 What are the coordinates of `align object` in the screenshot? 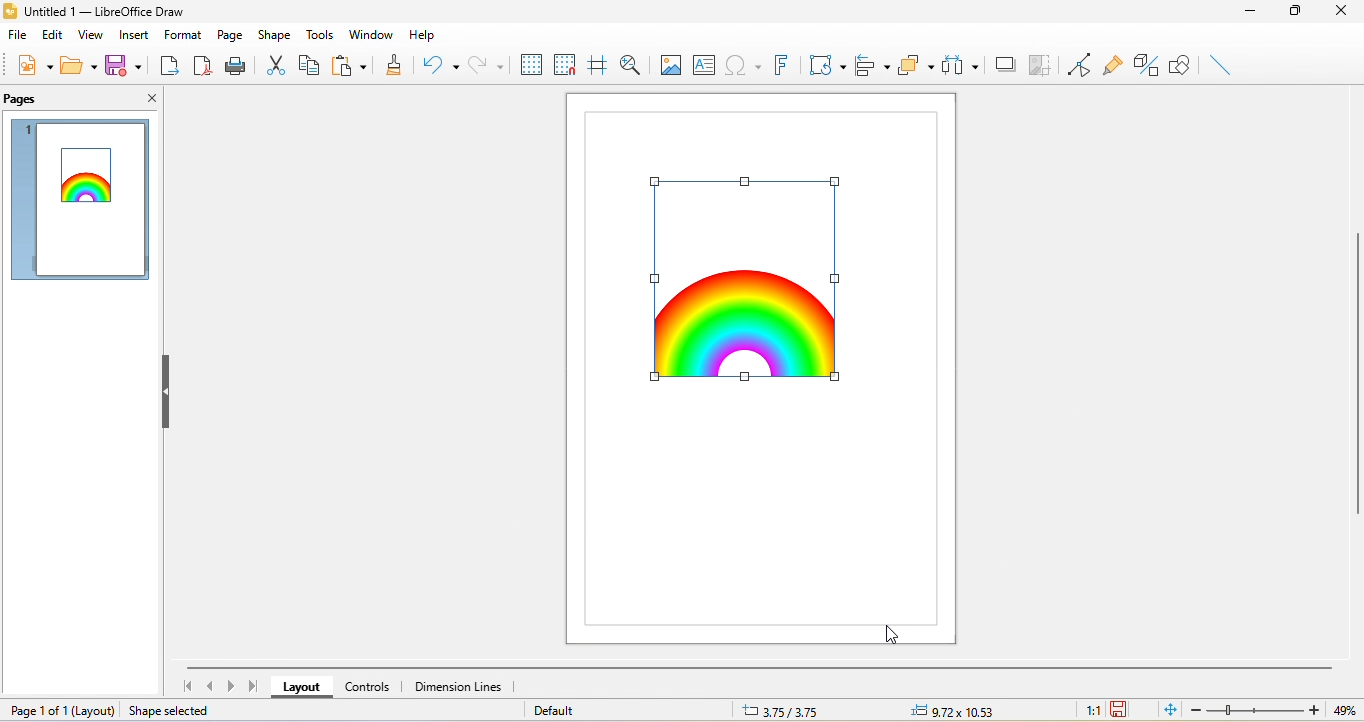 It's located at (869, 66).